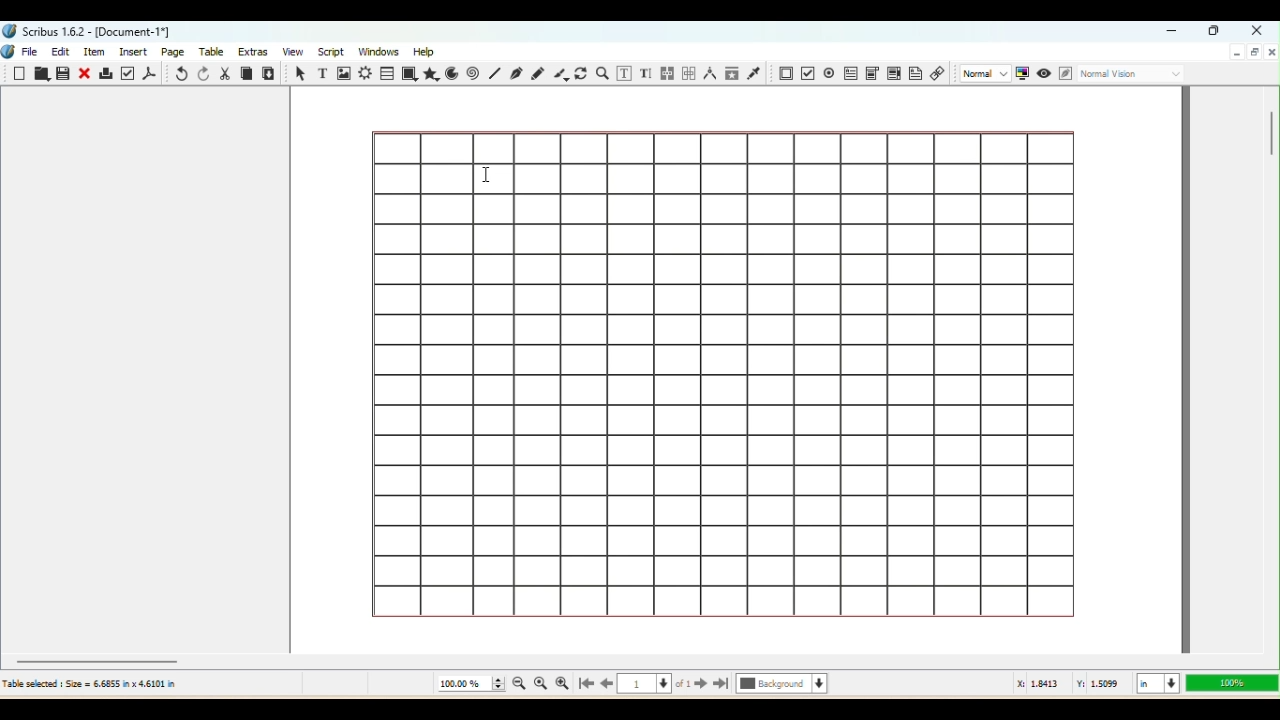 The width and height of the screenshot is (1280, 720). What do you see at coordinates (1271, 51) in the screenshot?
I see `Close document` at bounding box center [1271, 51].